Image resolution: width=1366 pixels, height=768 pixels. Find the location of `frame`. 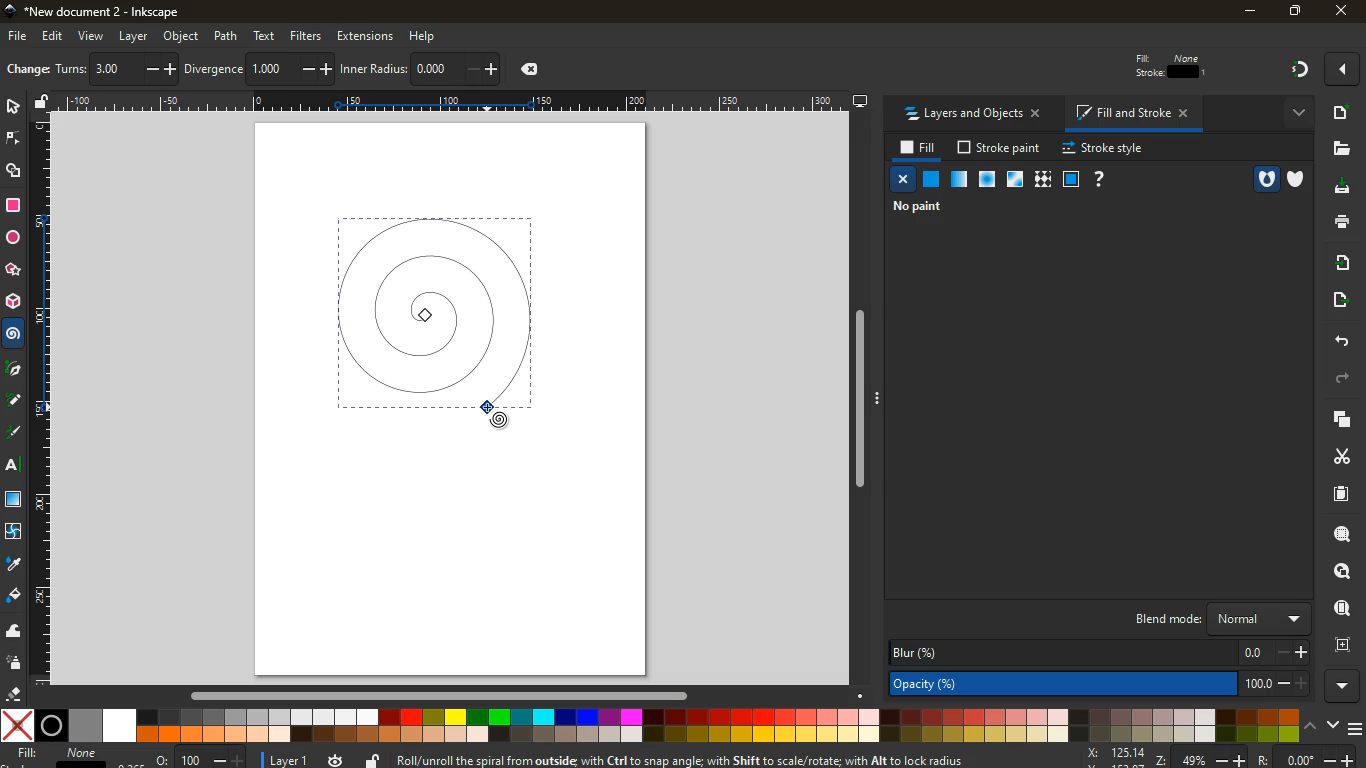

frame is located at coordinates (1341, 647).